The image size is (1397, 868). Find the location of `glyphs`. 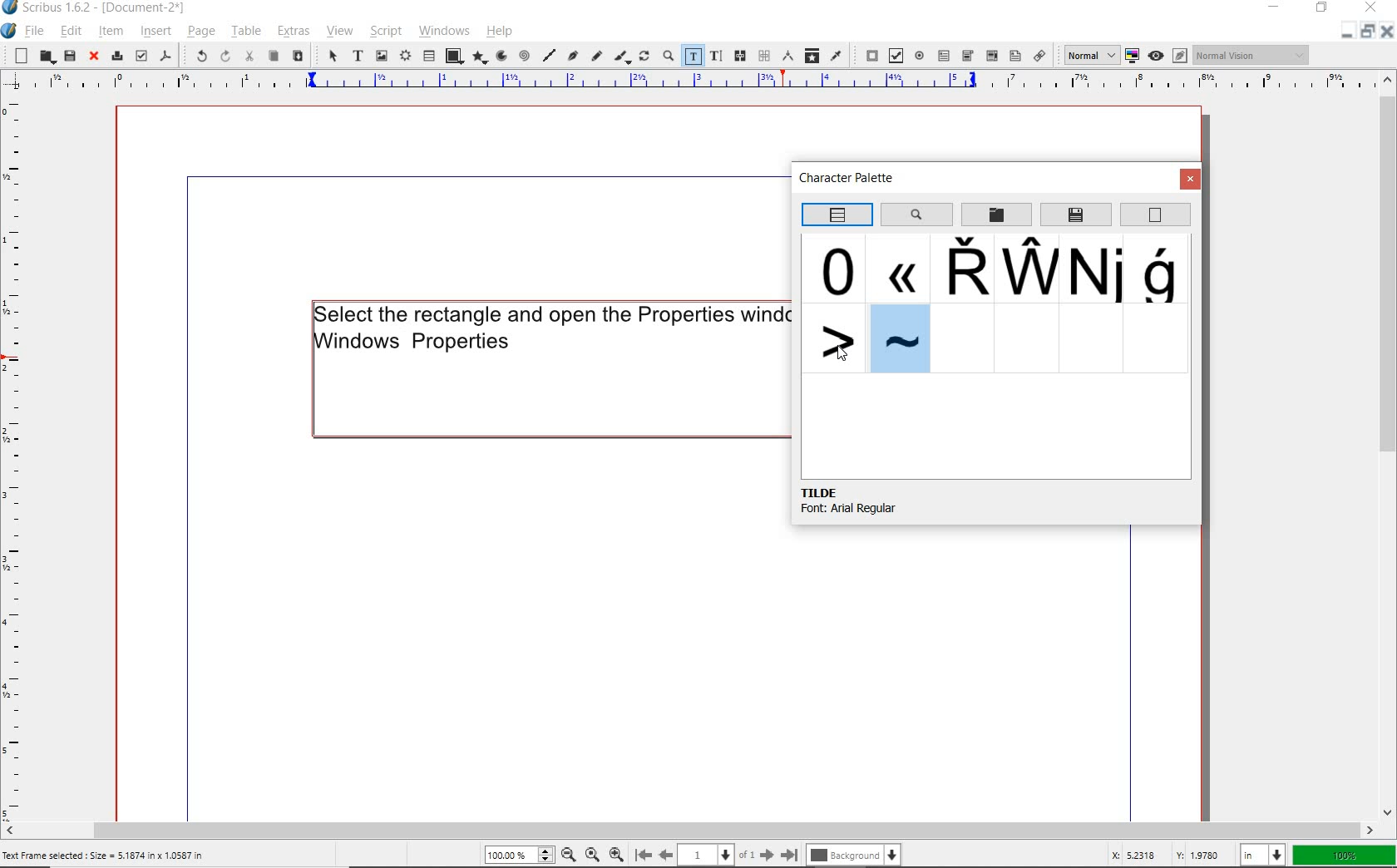

glyphs is located at coordinates (837, 268).